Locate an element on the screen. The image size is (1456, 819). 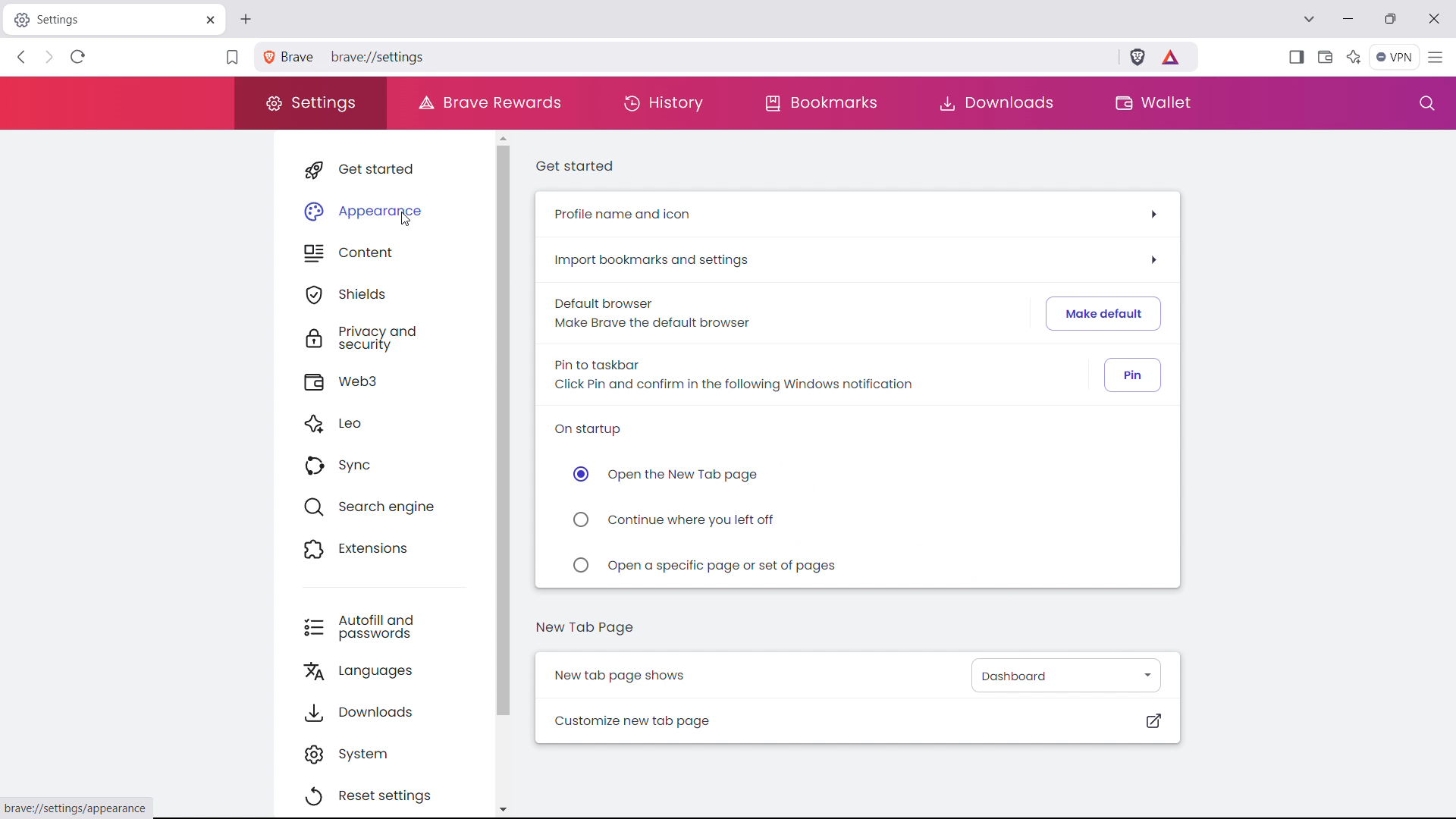
leo AI is located at coordinates (1354, 55).